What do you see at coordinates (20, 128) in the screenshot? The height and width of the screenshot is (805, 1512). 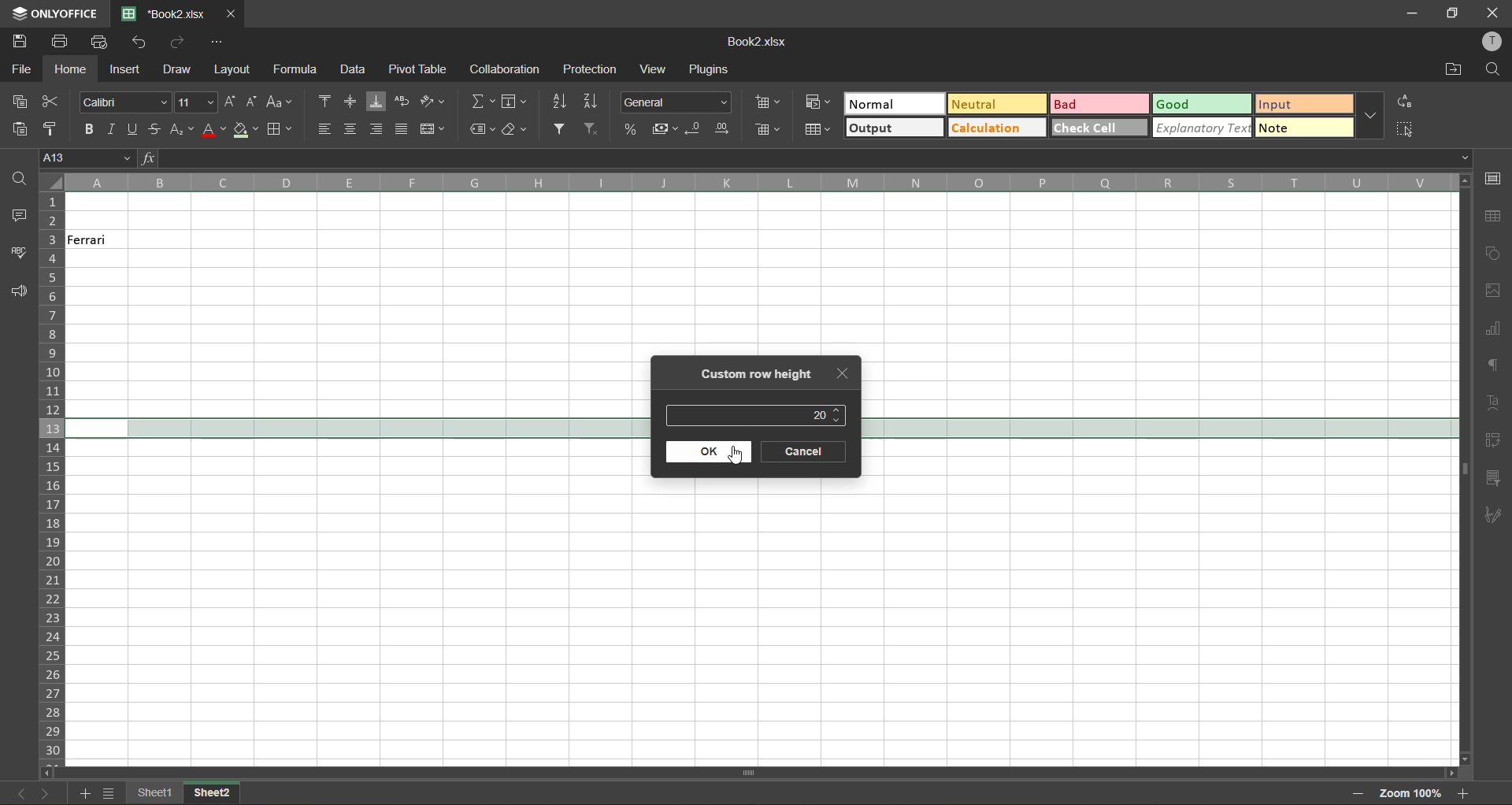 I see `paste` at bounding box center [20, 128].